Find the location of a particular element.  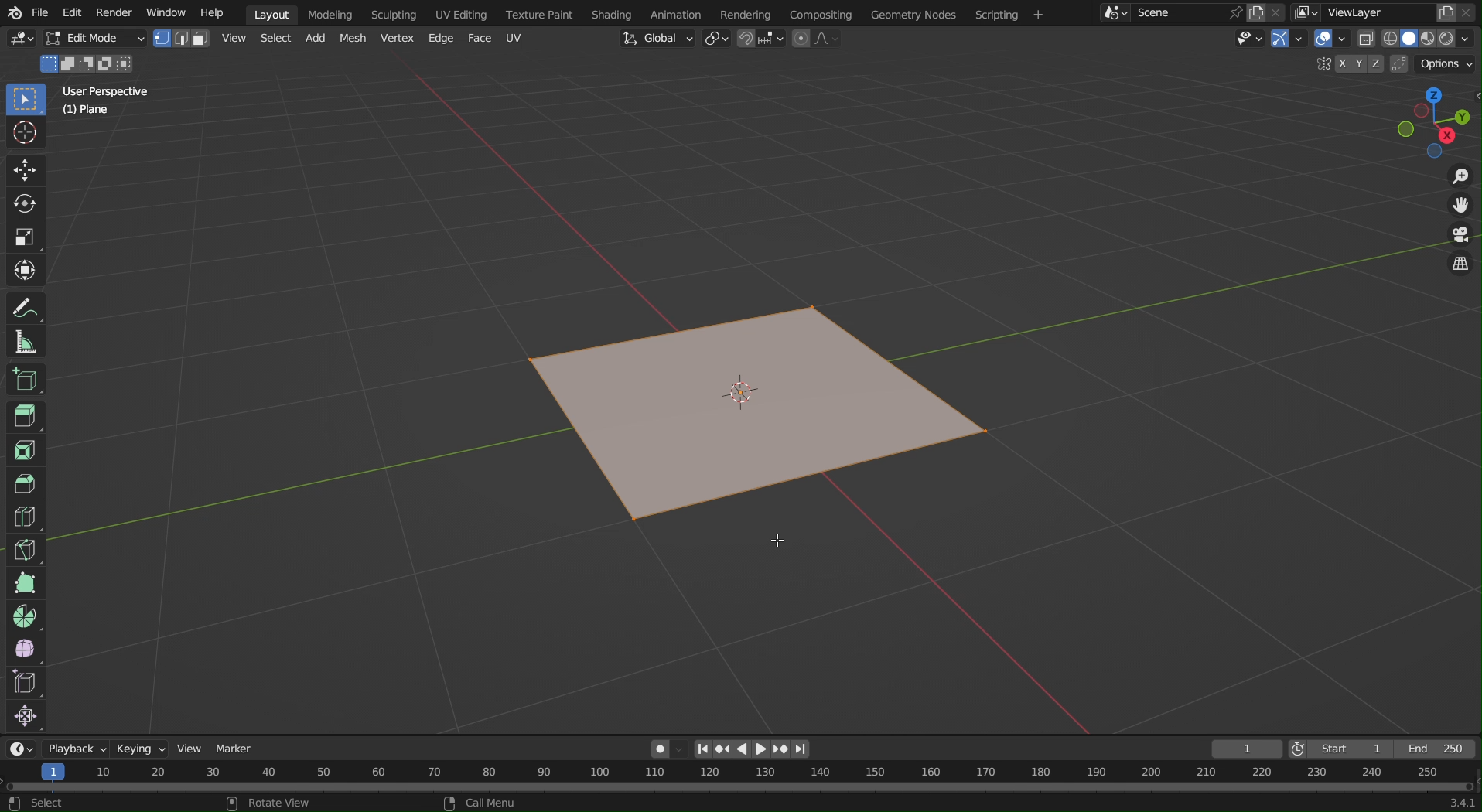

copy is located at coordinates (1447, 14).